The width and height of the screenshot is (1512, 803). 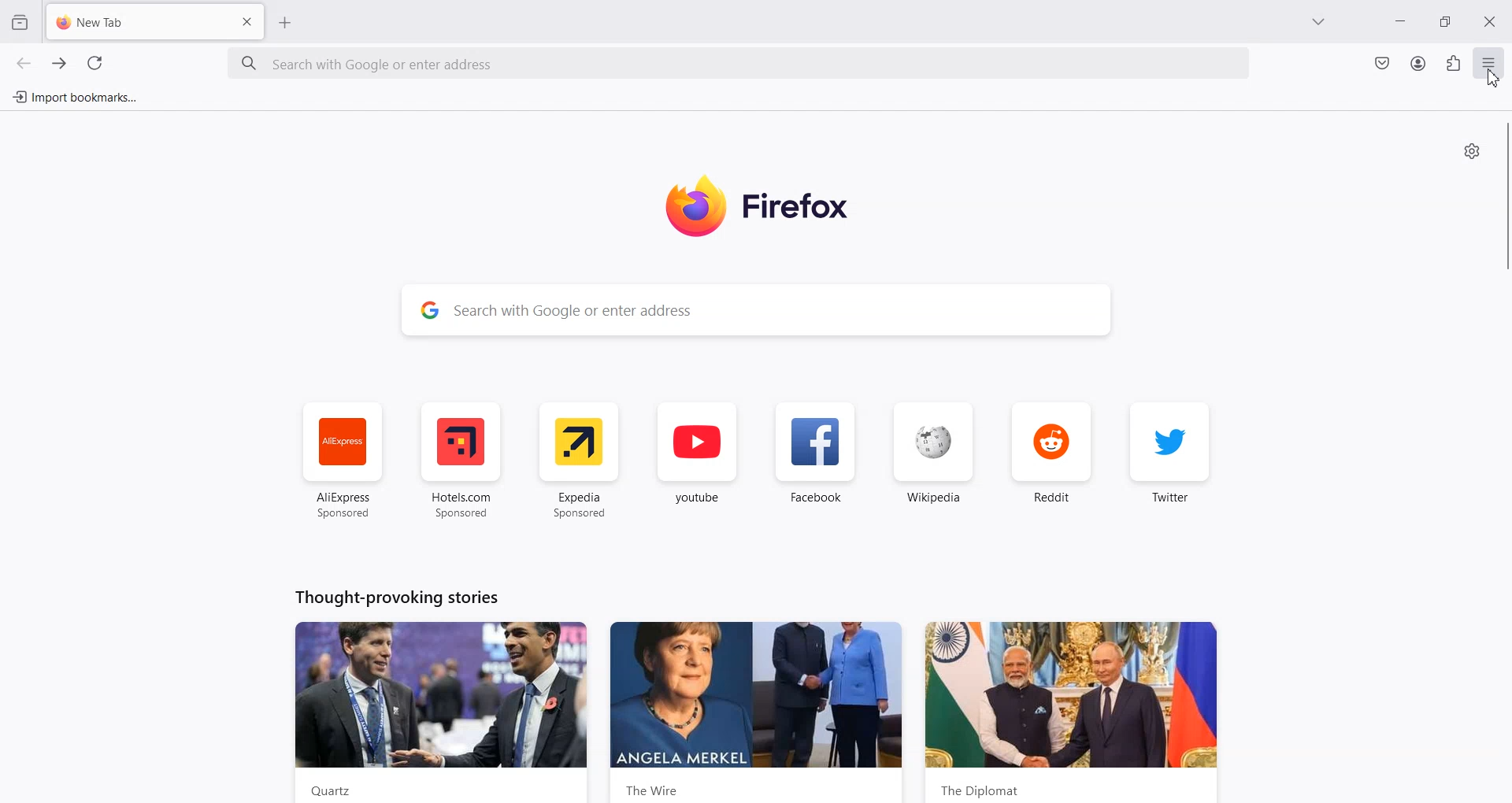 What do you see at coordinates (1493, 76) in the screenshot?
I see `Cursor` at bounding box center [1493, 76].